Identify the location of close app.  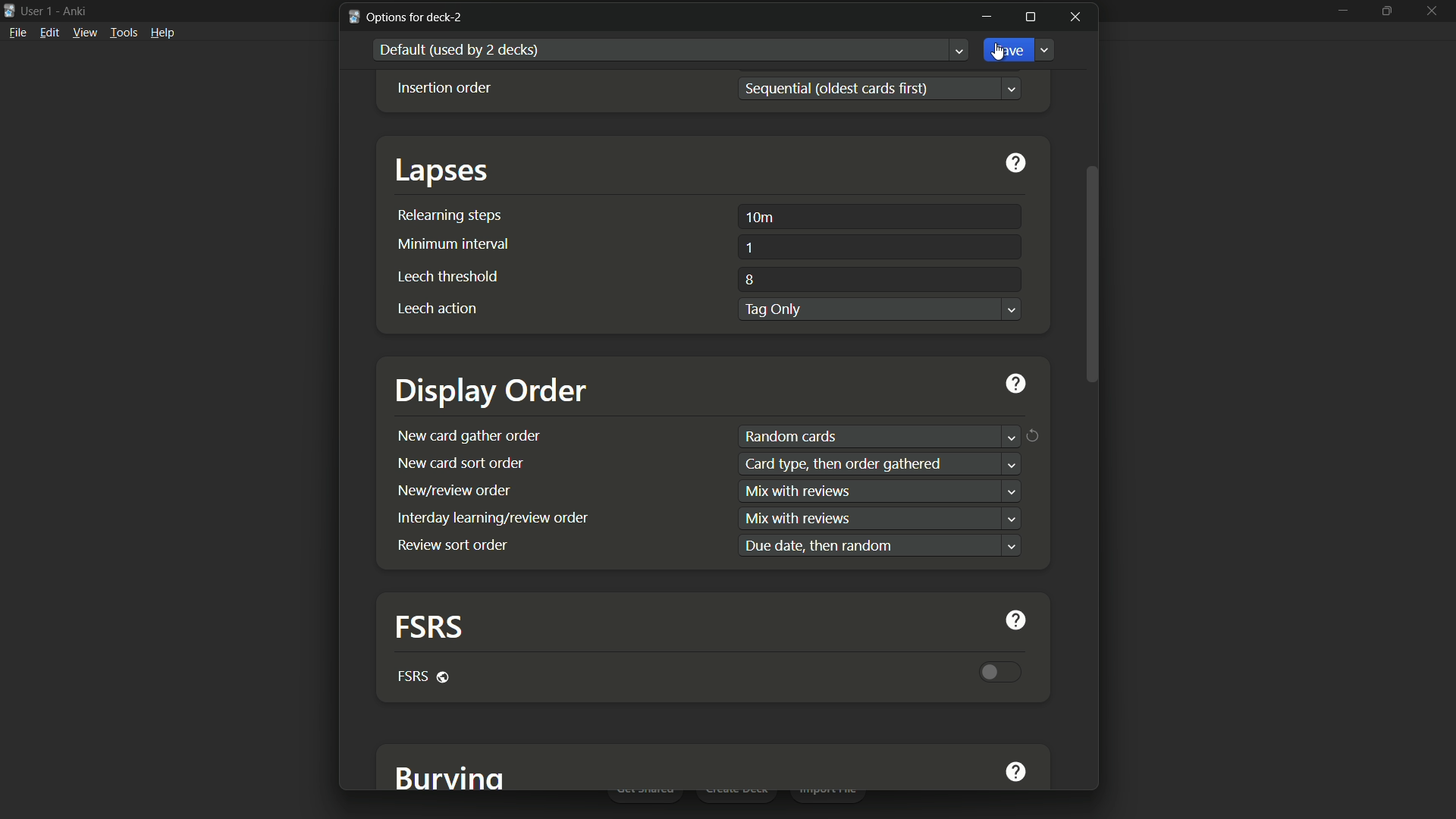
(1436, 10).